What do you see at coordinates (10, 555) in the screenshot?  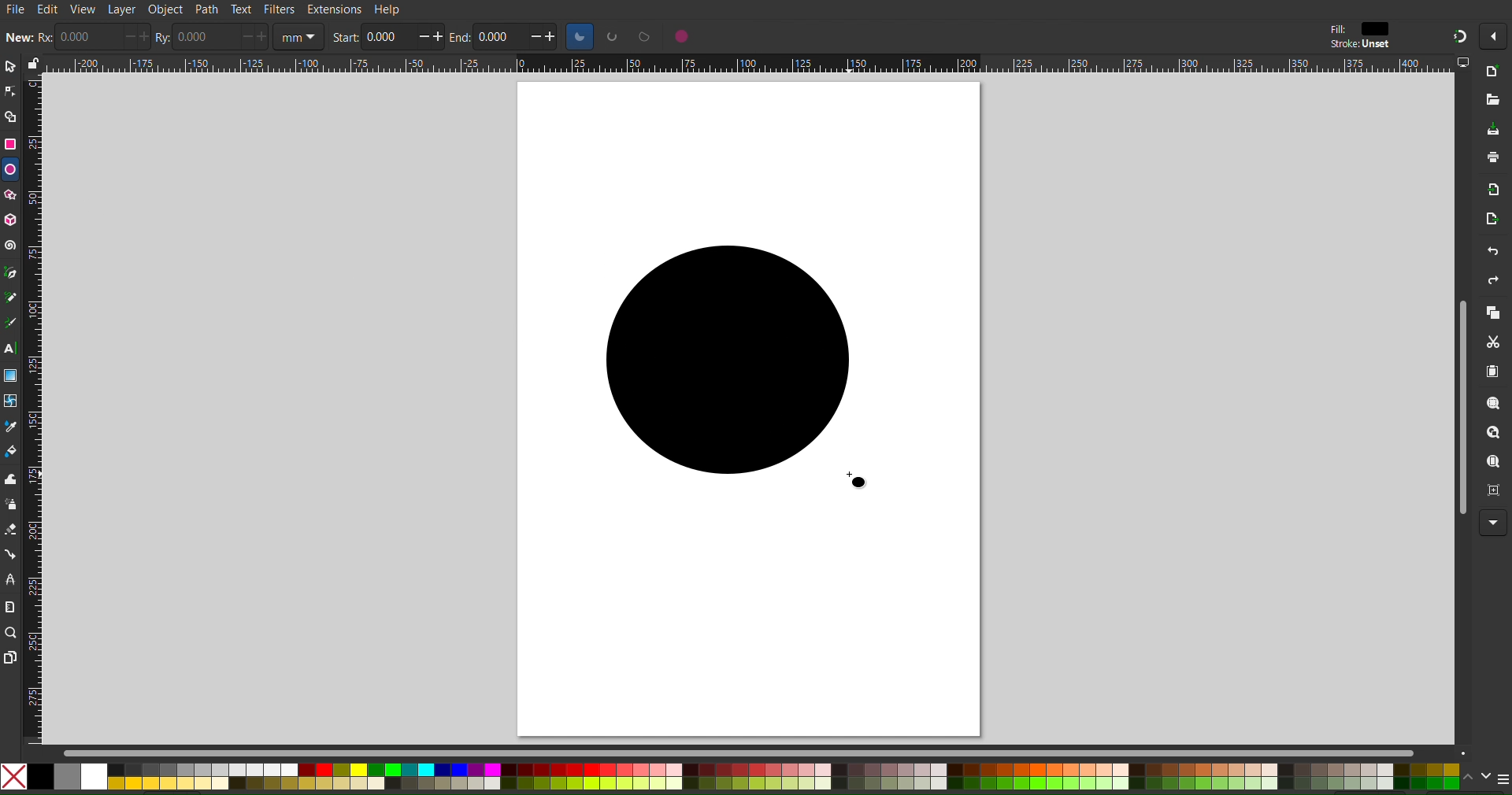 I see `Connection` at bounding box center [10, 555].